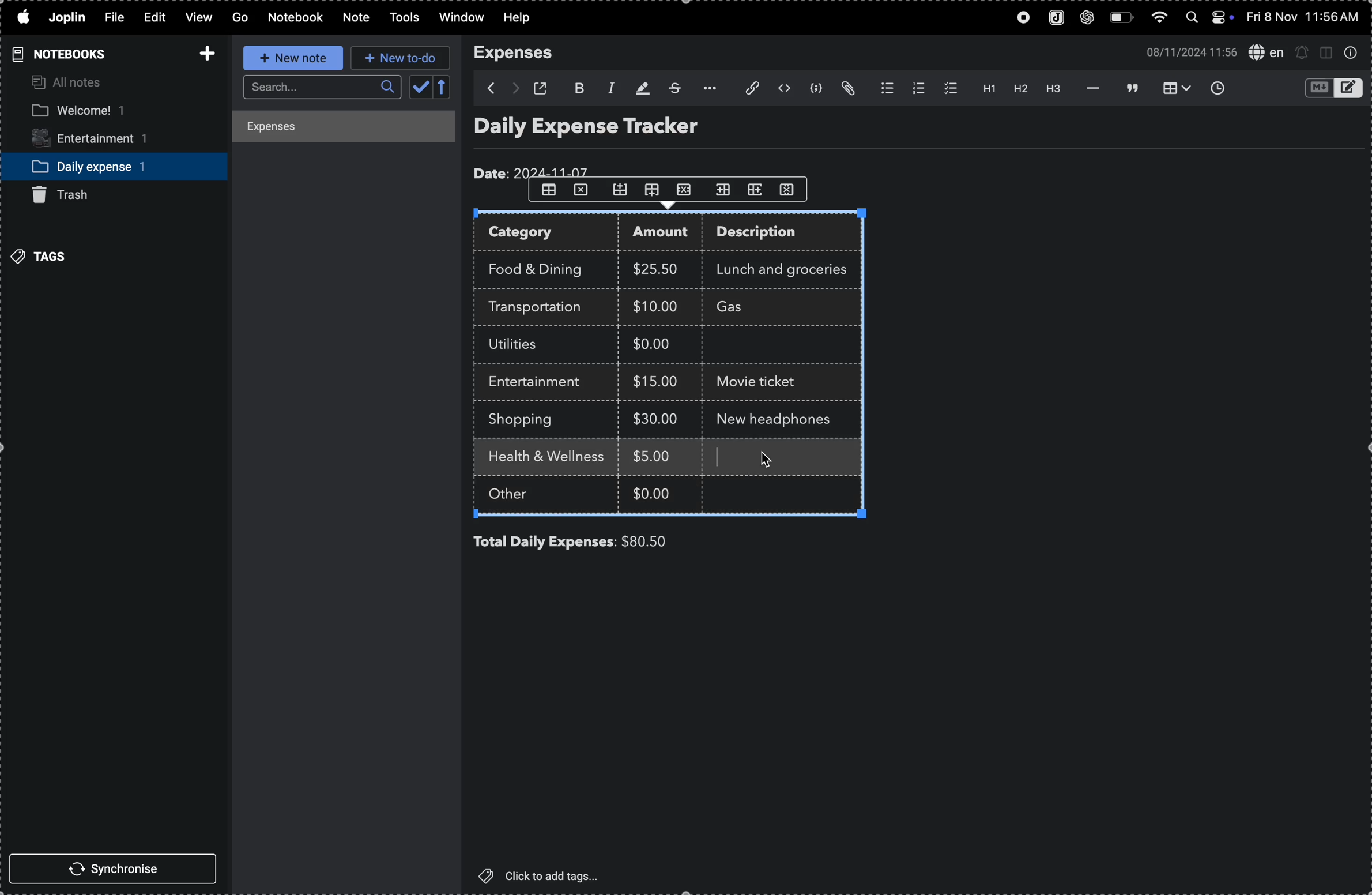 This screenshot has height=895, width=1372. What do you see at coordinates (43, 255) in the screenshot?
I see `tags` at bounding box center [43, 255].